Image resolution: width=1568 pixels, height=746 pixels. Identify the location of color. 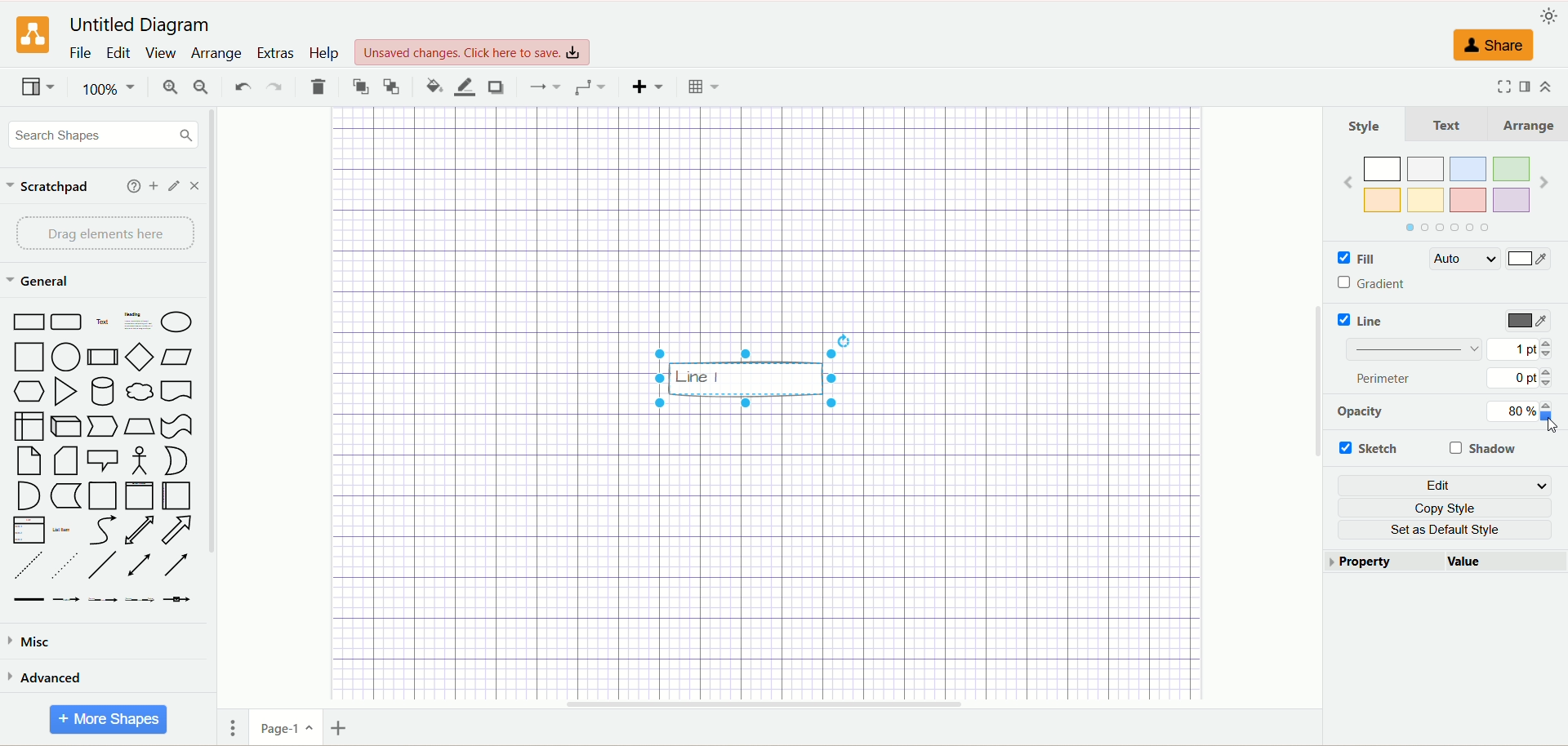
(1530, 322).